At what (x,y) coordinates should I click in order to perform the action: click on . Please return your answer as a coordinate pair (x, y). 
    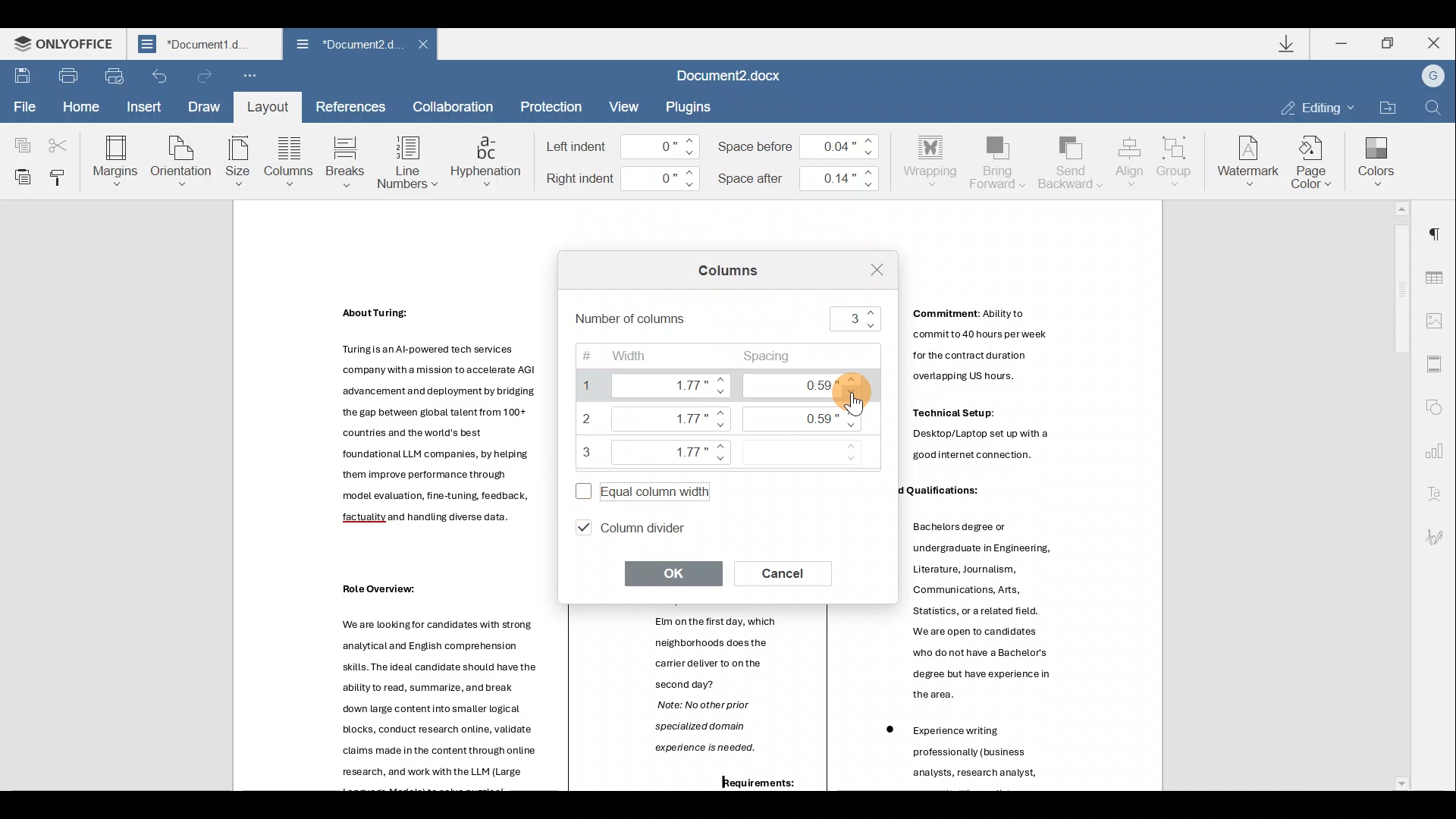
    Looking at the image, I should click on (376, 313).